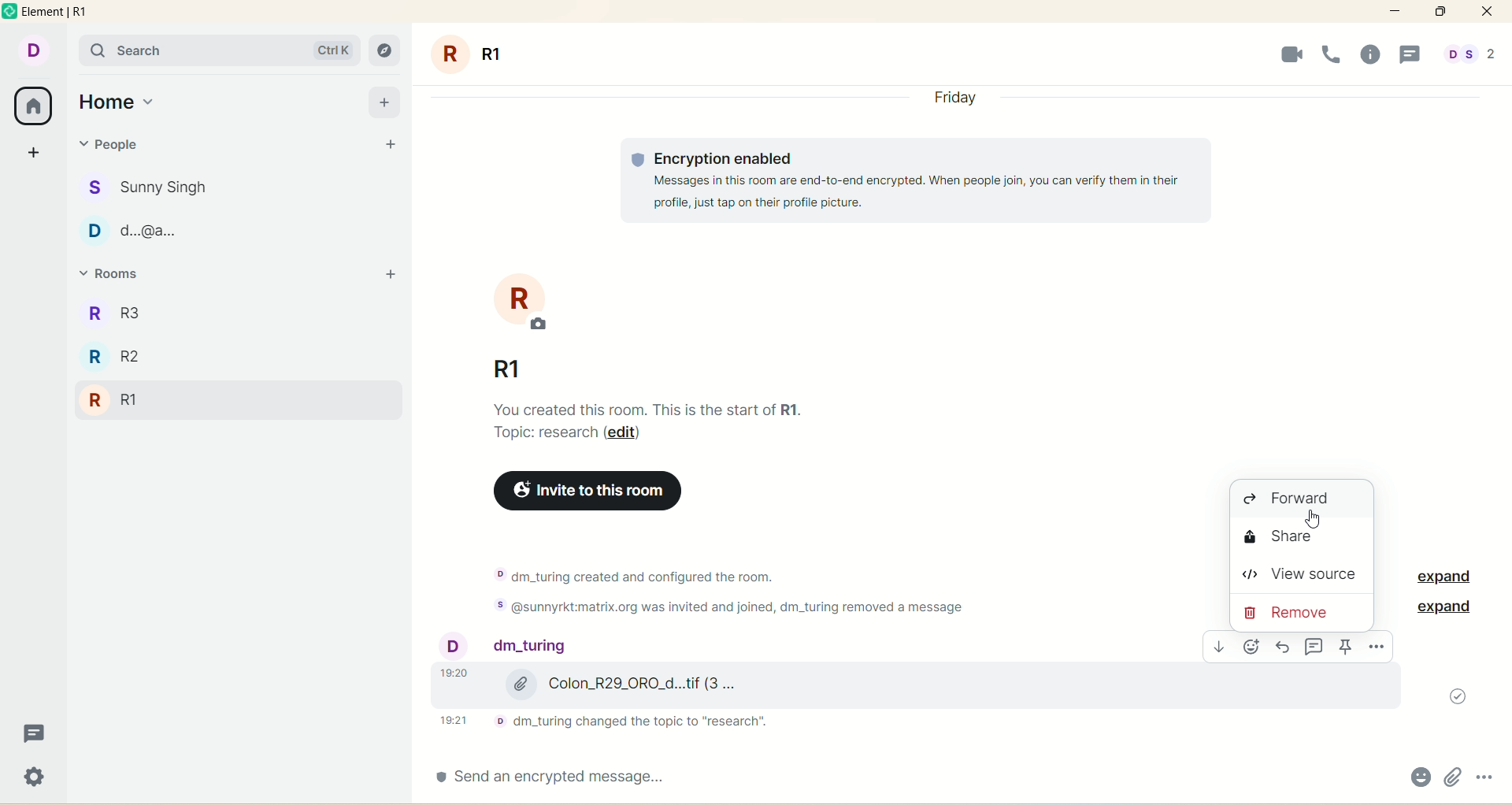  I want to click on pin, so click(1348, 644).